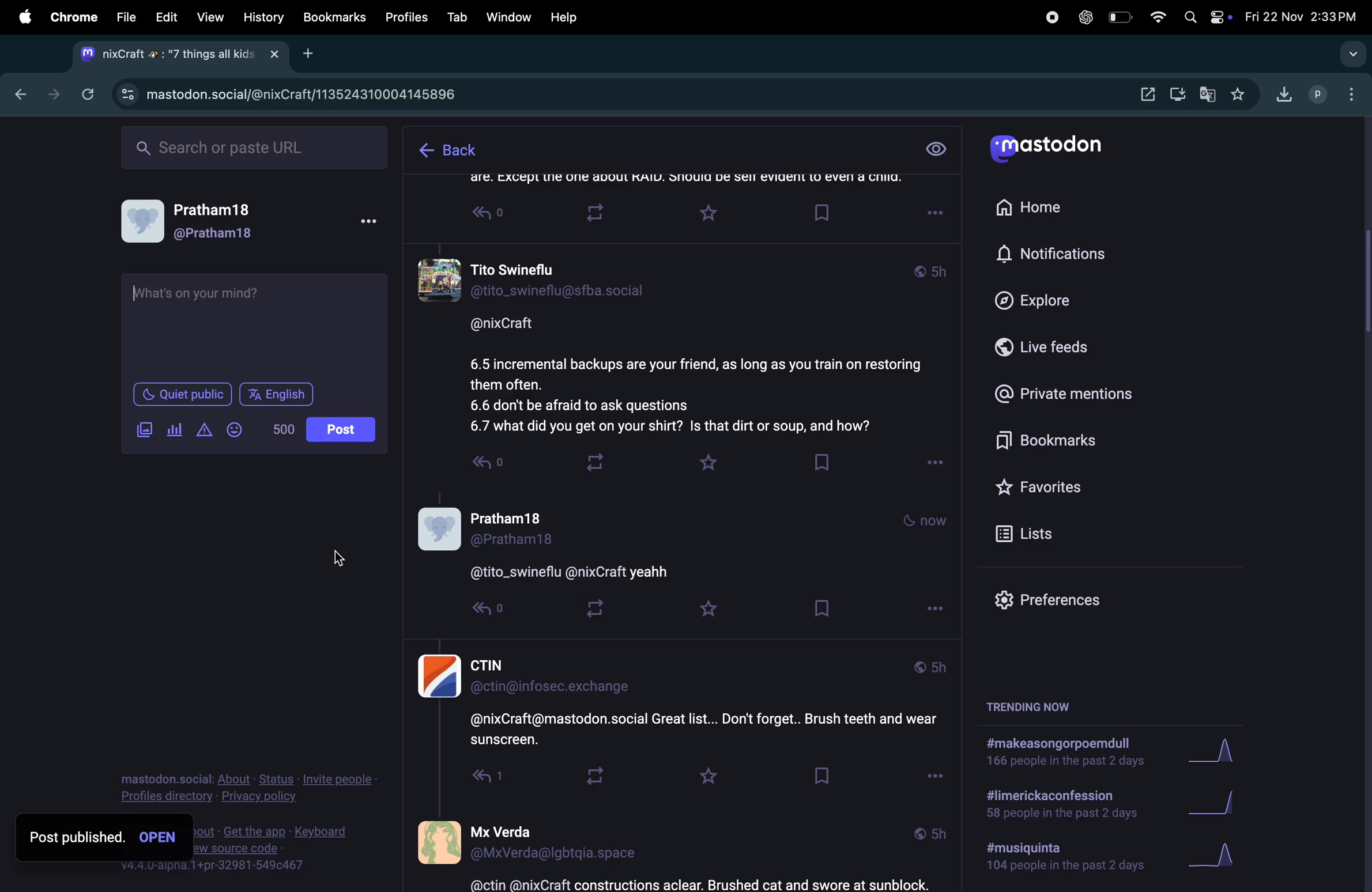 Image resolution: width=1372 pixels, height=892 pixels. What do you see at coordinates (712, 214) in the screenshot?
I see `Favourite` at bounding box center [712, 214].